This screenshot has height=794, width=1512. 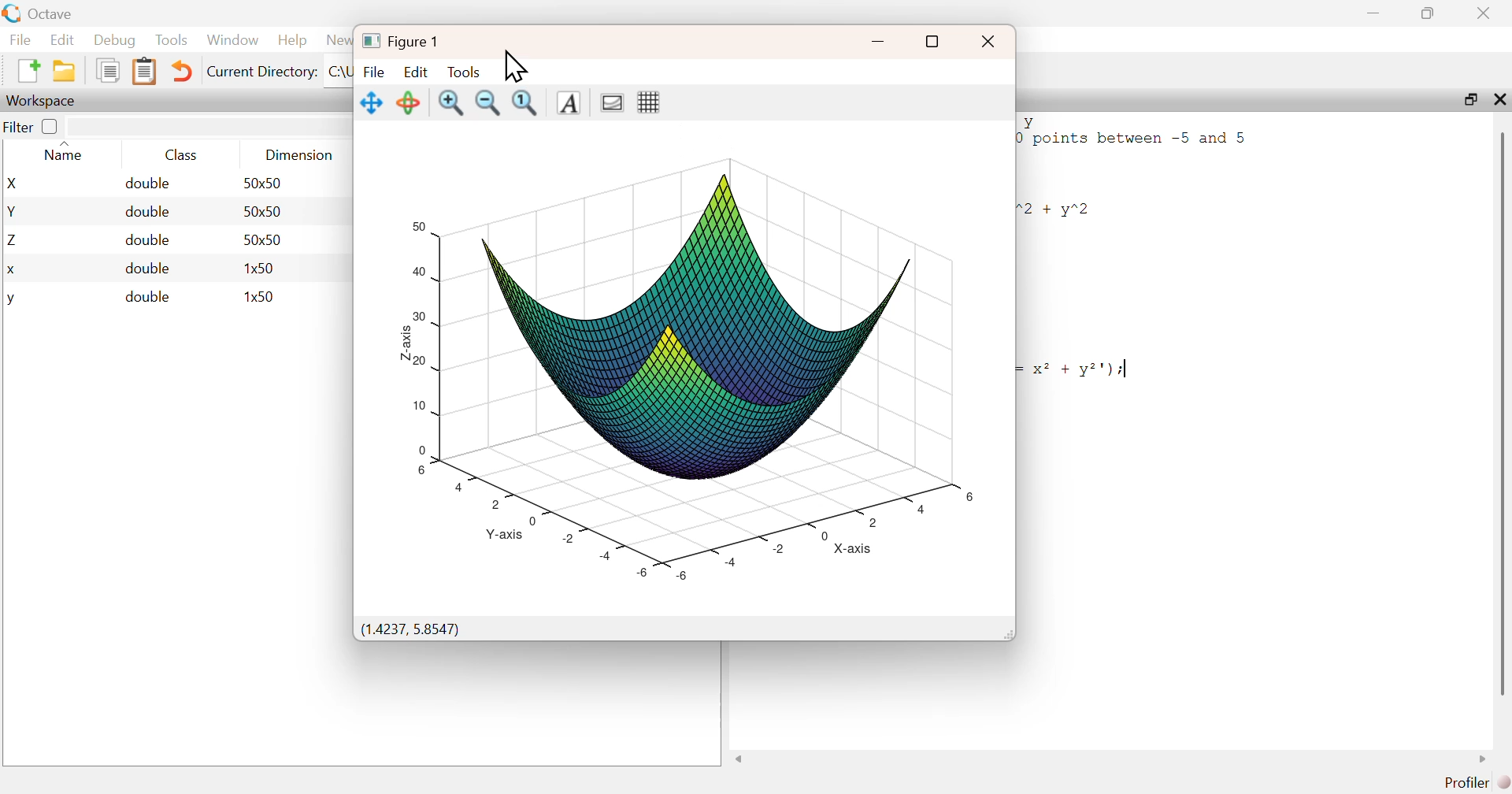 I want to click on minimize, so click(x=1373, y=13).